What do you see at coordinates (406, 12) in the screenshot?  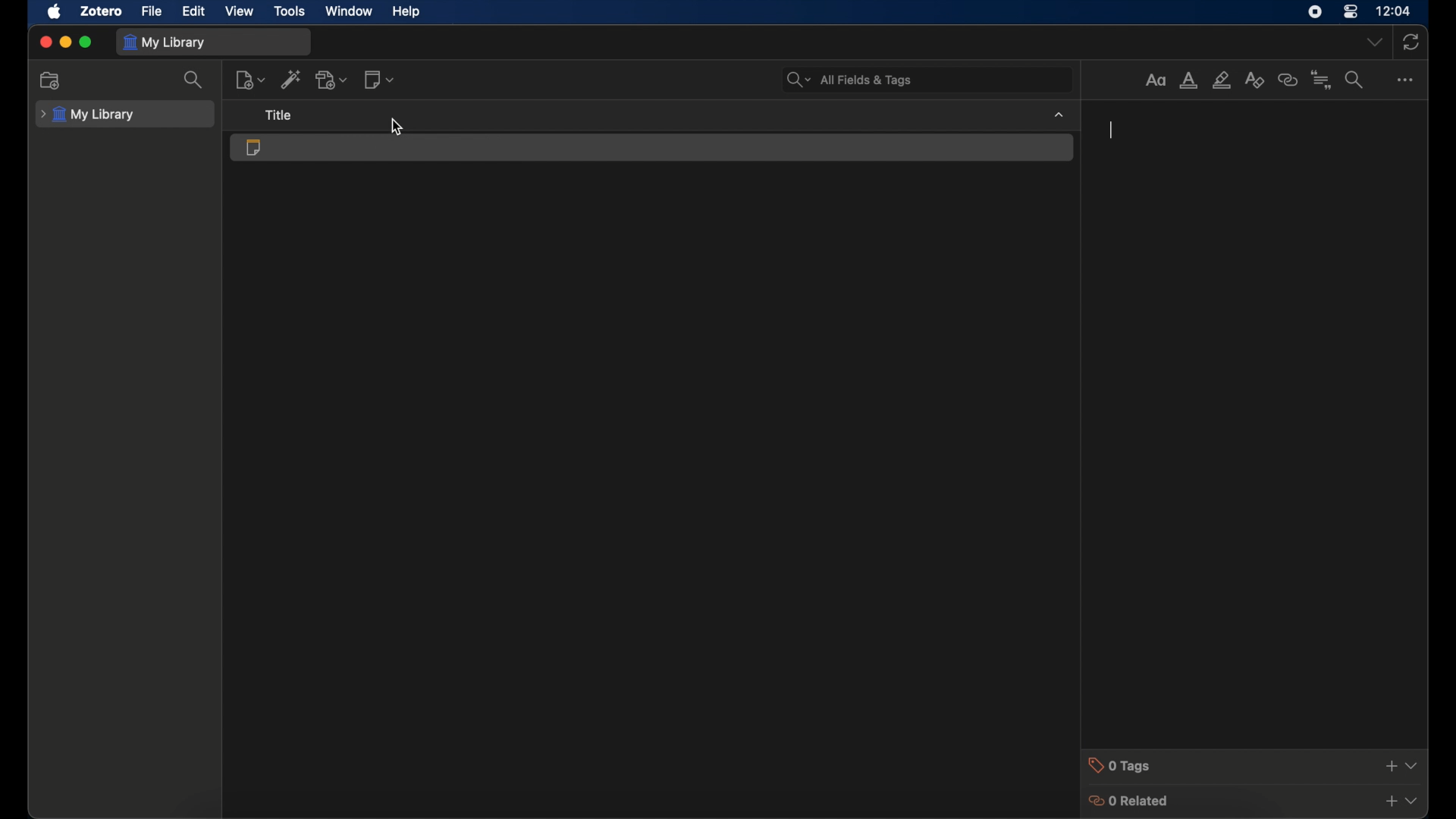 I see `help` at bounding box center [406, 12].